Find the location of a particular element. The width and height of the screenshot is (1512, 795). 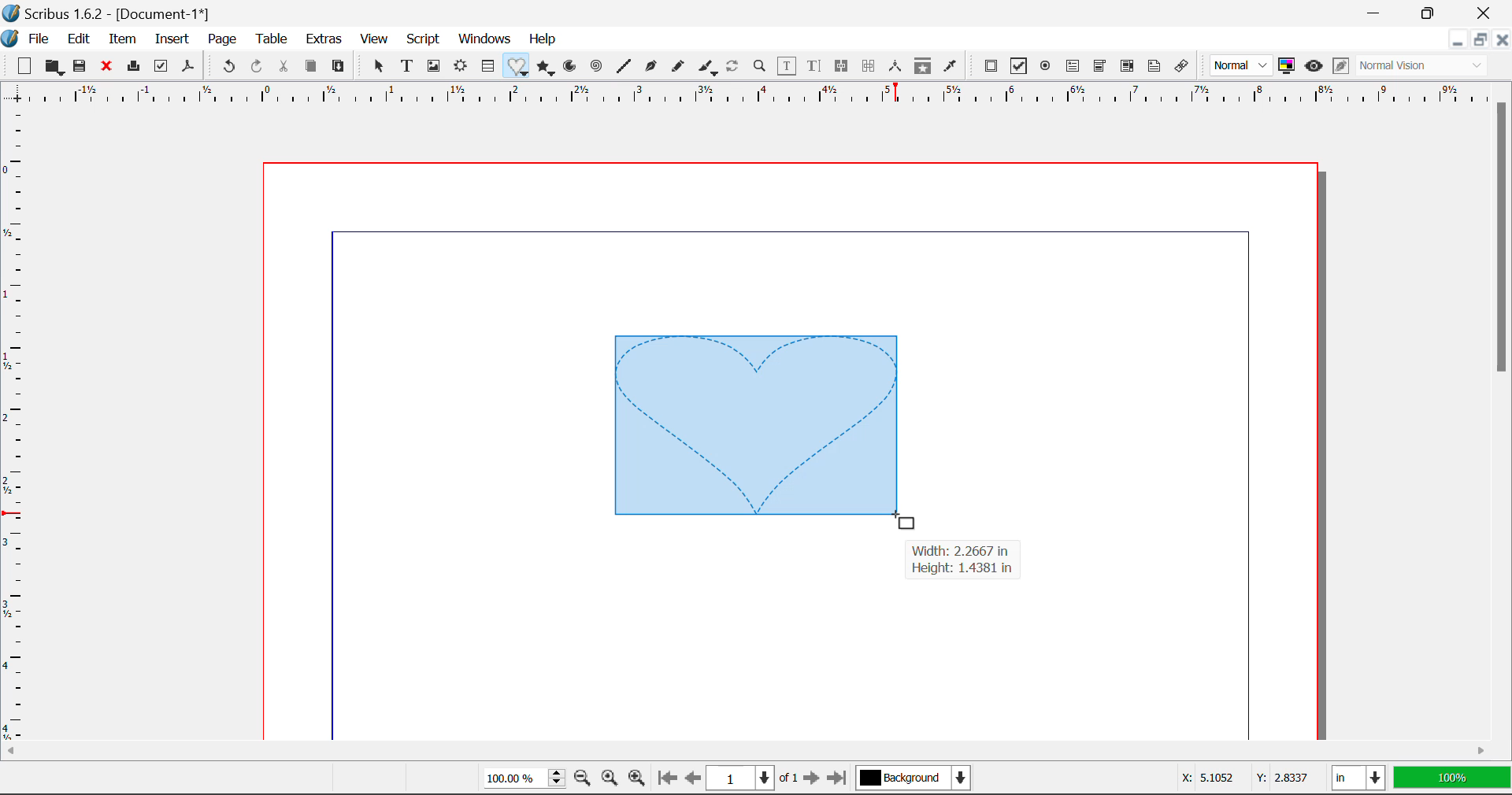

Edit Text in Story Editor is located at coordinates (814, 68).